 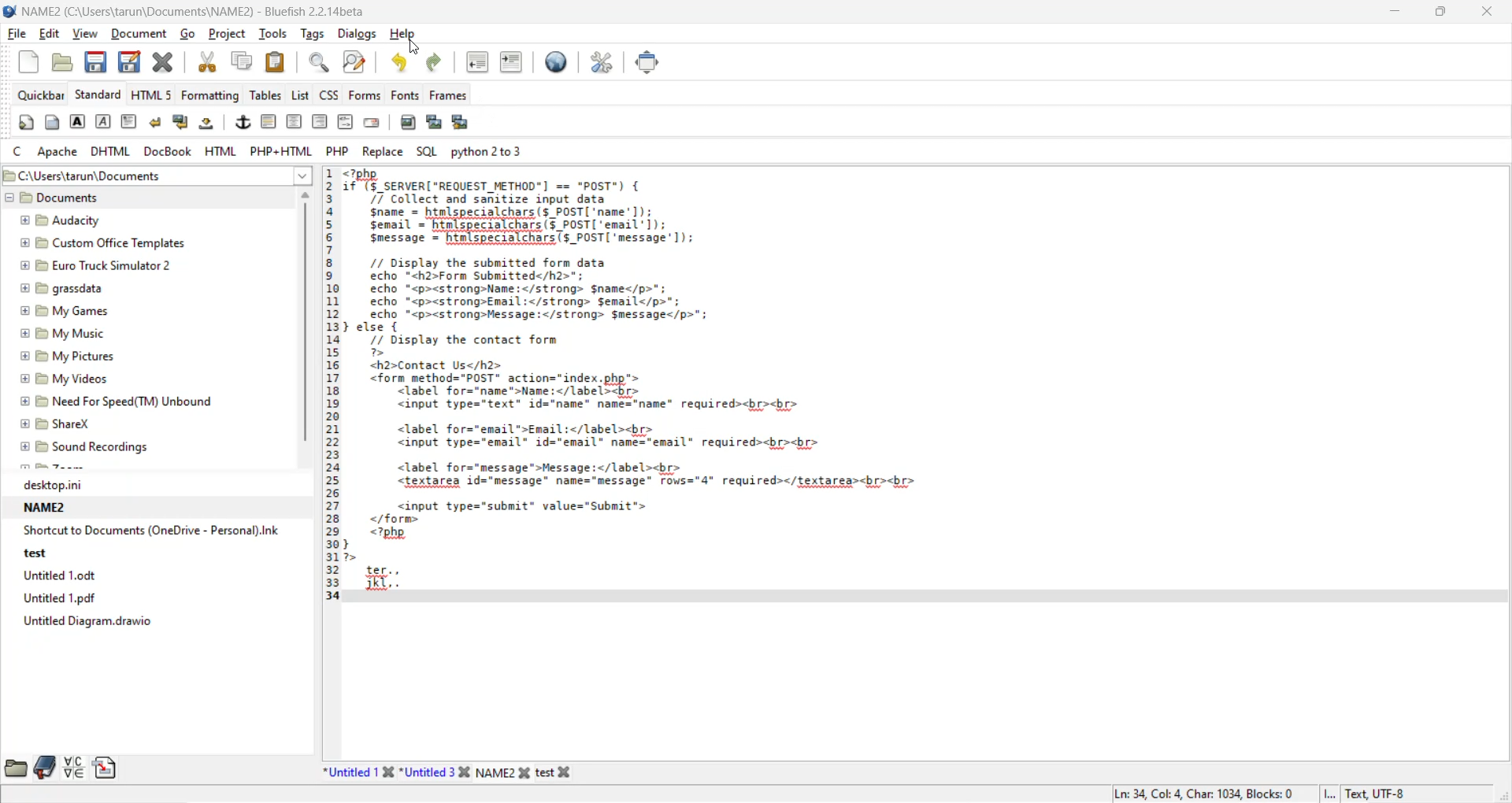 I want to click on python 2 to 3, so click(x=489, y=150).